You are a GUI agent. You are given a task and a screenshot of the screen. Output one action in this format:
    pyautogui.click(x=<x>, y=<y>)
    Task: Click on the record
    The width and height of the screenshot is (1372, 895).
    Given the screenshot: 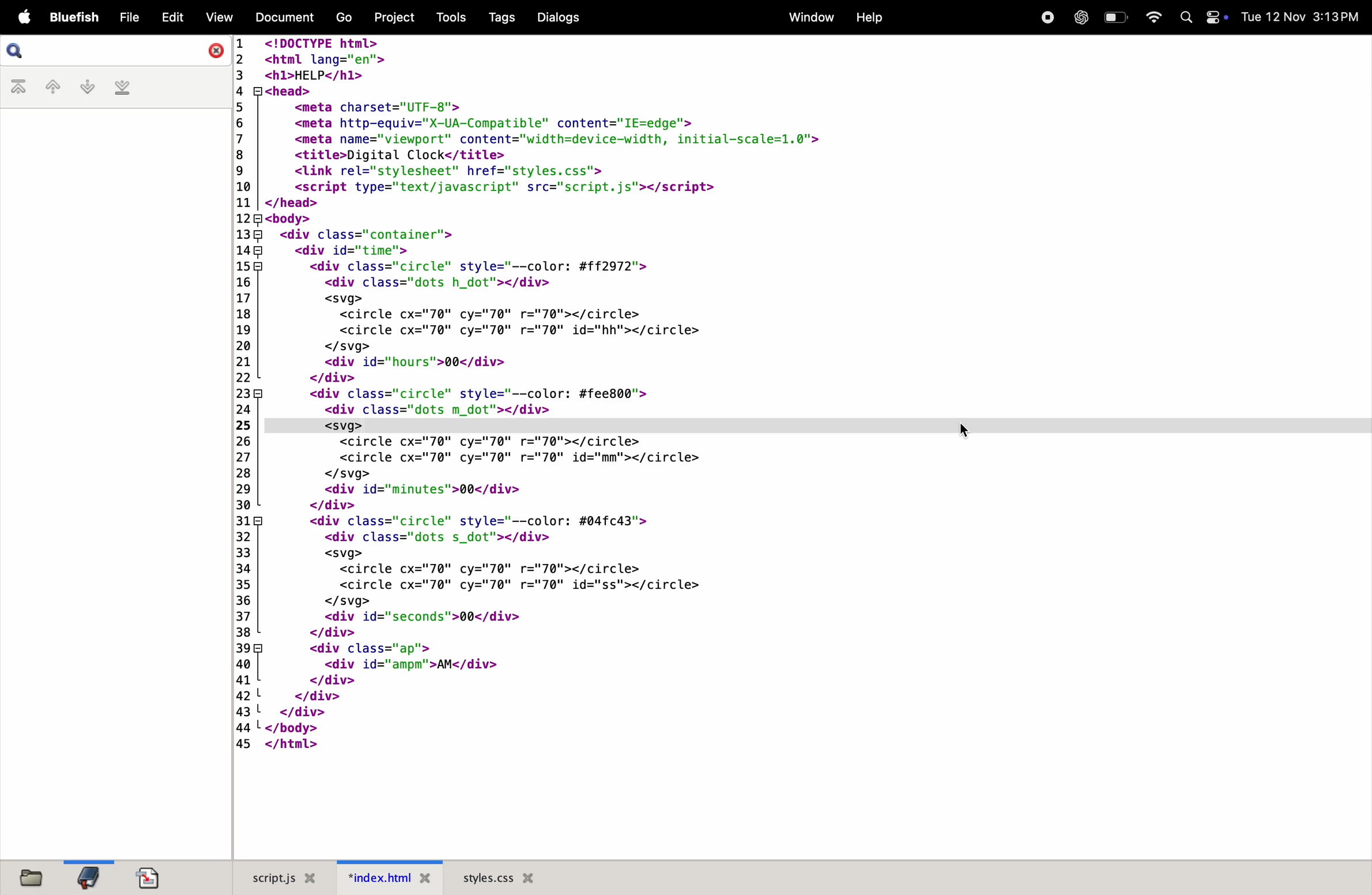 What is the action you would take?
    pyautogui.click(x=1045, y=16)
    